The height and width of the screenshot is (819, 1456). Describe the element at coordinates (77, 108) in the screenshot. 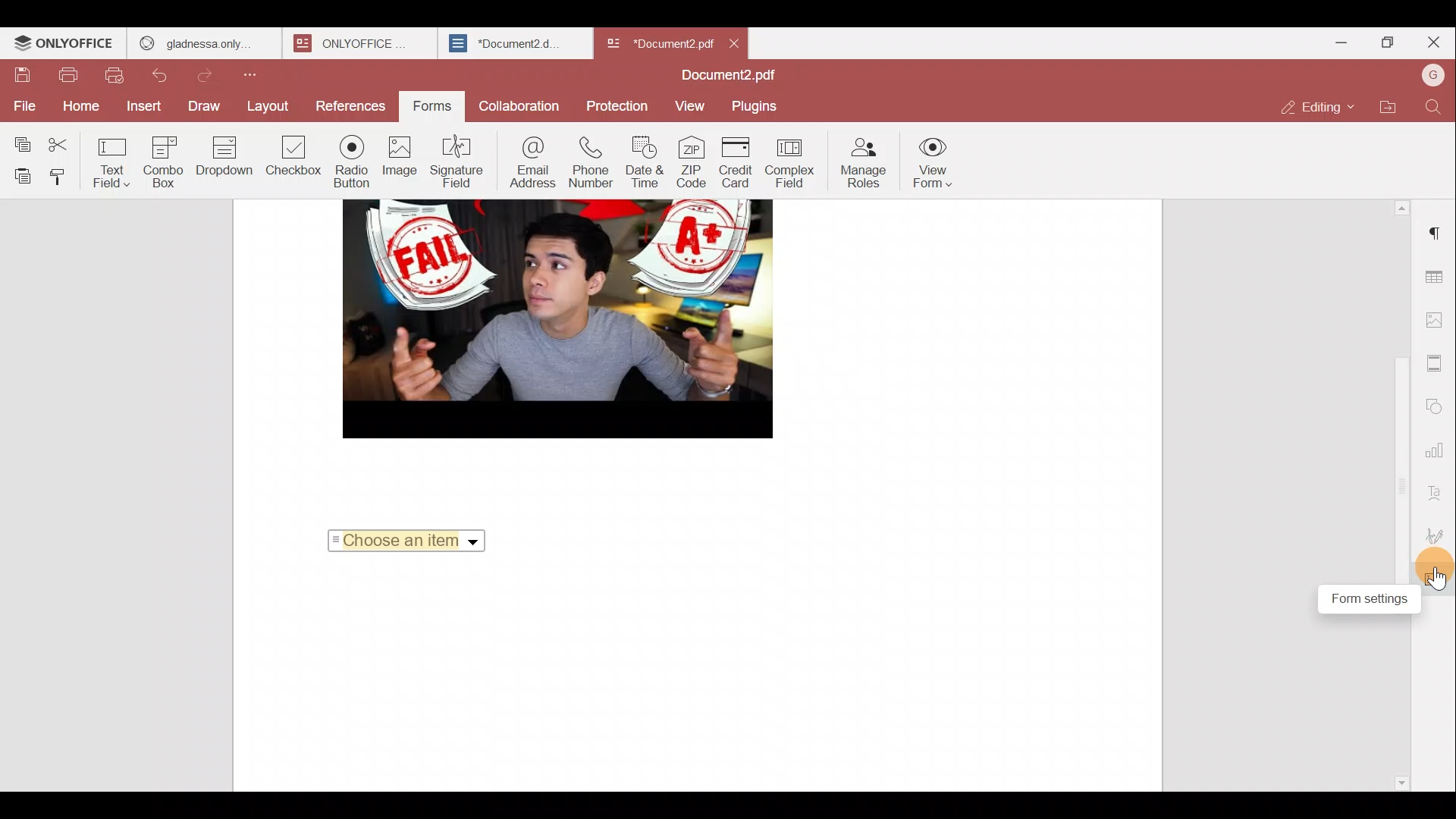

I see `Home` at that location.